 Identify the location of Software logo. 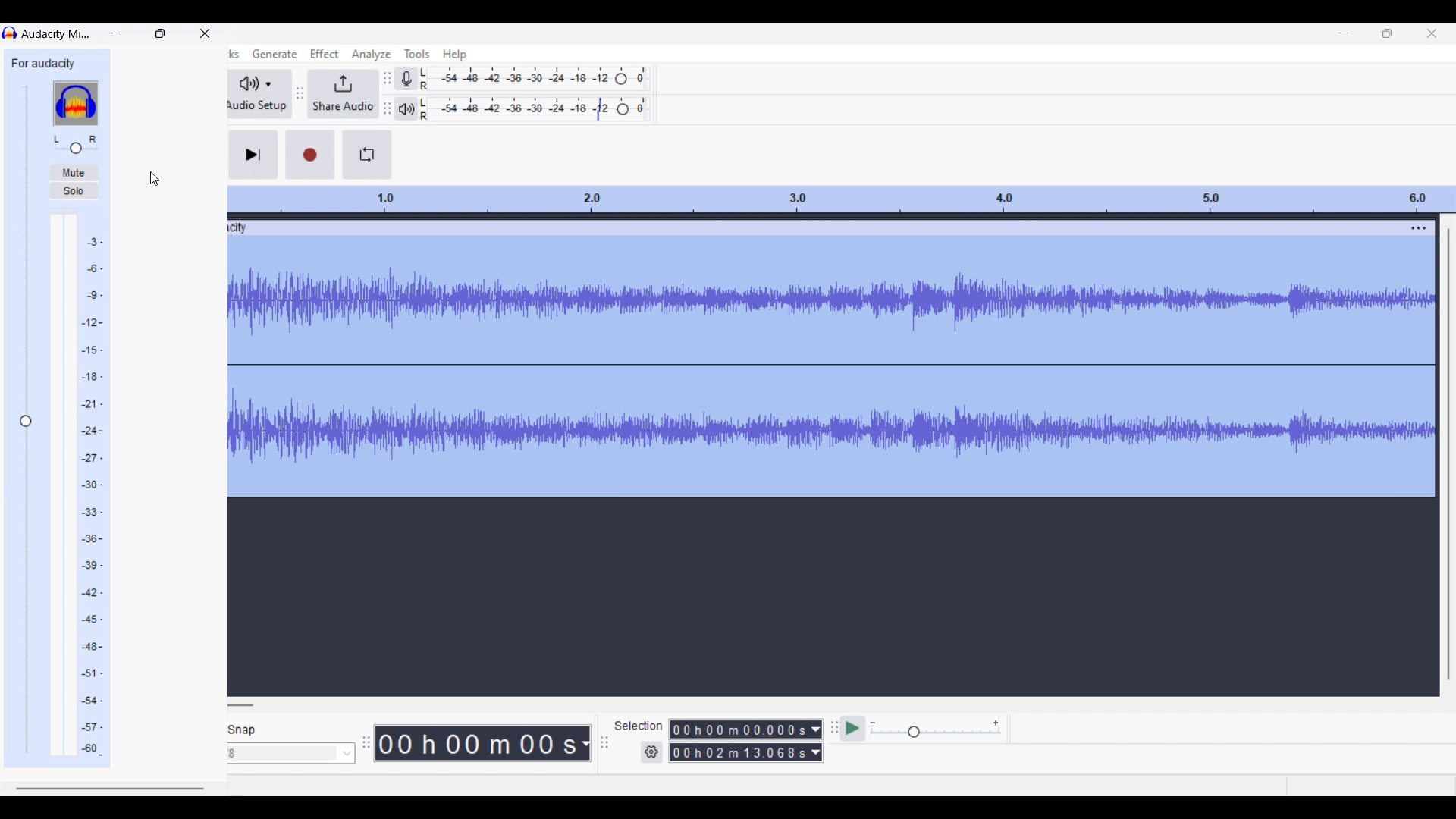
(10, 33).